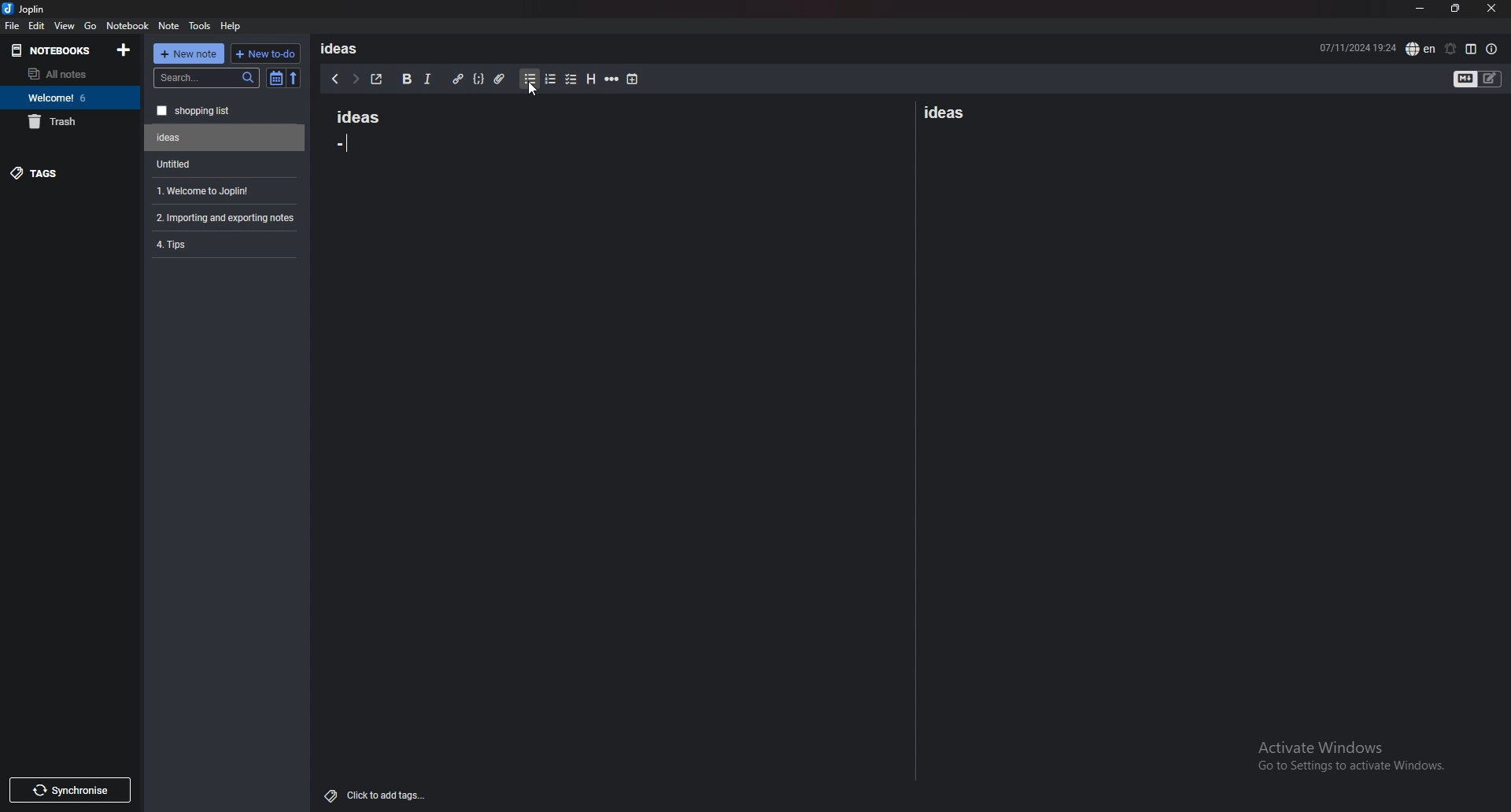  Describe the element at coordinates (1492, 50) in the screenshot. I see `note properties` at that location.